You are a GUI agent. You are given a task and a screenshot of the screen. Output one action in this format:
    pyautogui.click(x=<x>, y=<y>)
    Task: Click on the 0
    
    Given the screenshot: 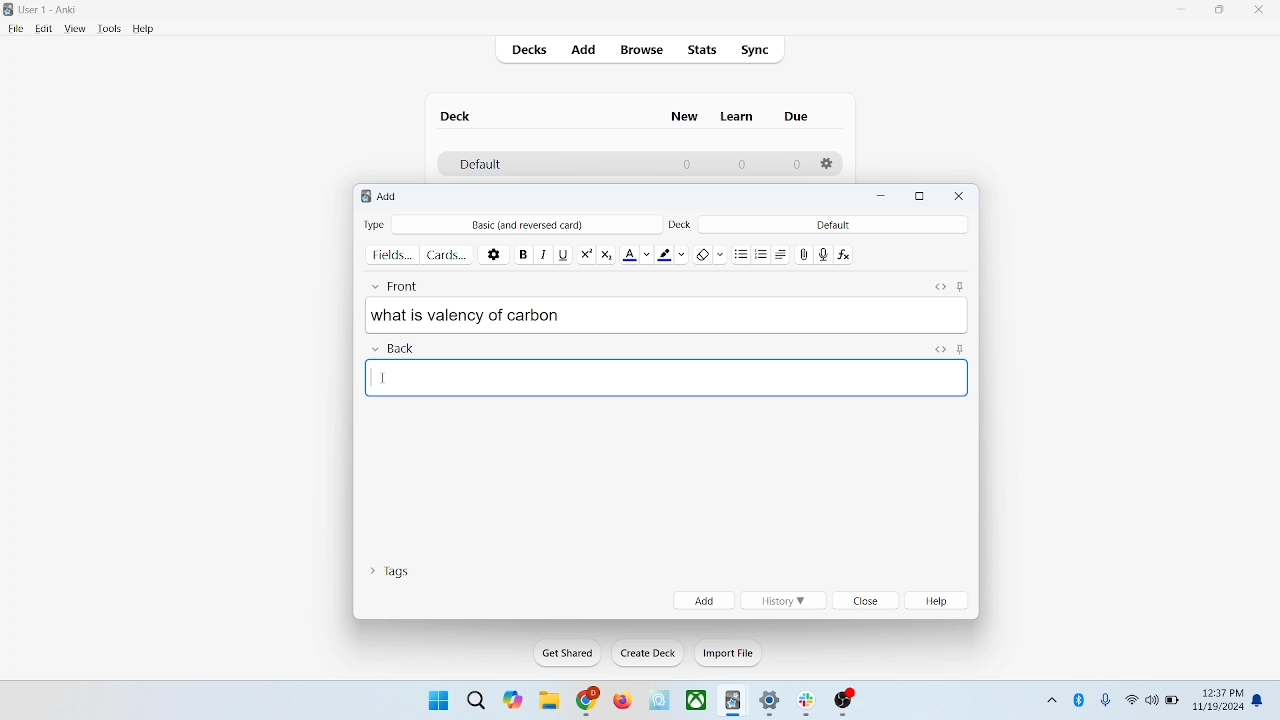 What is the action you would take?
    pyautogui.click(x=688, y=164)
    